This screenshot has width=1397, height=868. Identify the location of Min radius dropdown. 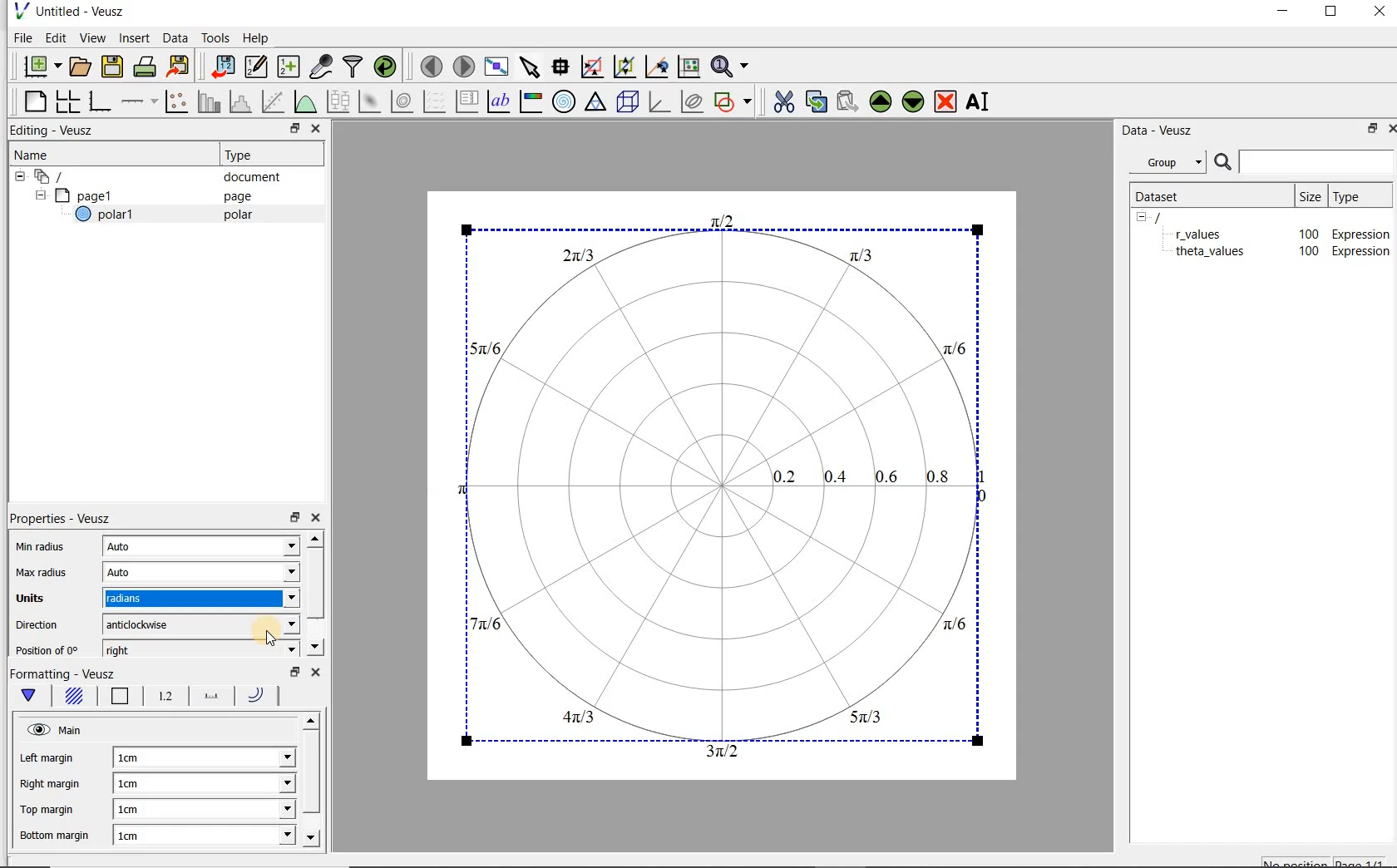
(262, 547).